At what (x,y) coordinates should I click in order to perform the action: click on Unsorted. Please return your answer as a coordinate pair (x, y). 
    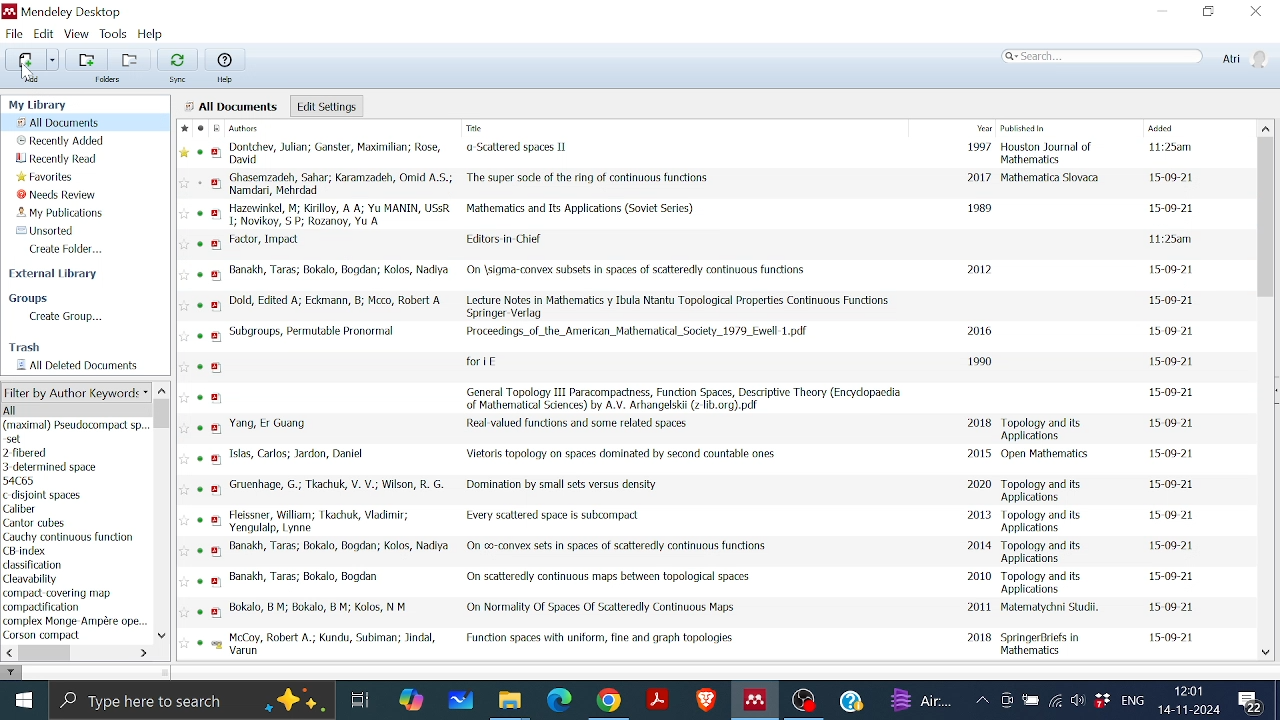
    Looking at the image, I should click on (61, 231).